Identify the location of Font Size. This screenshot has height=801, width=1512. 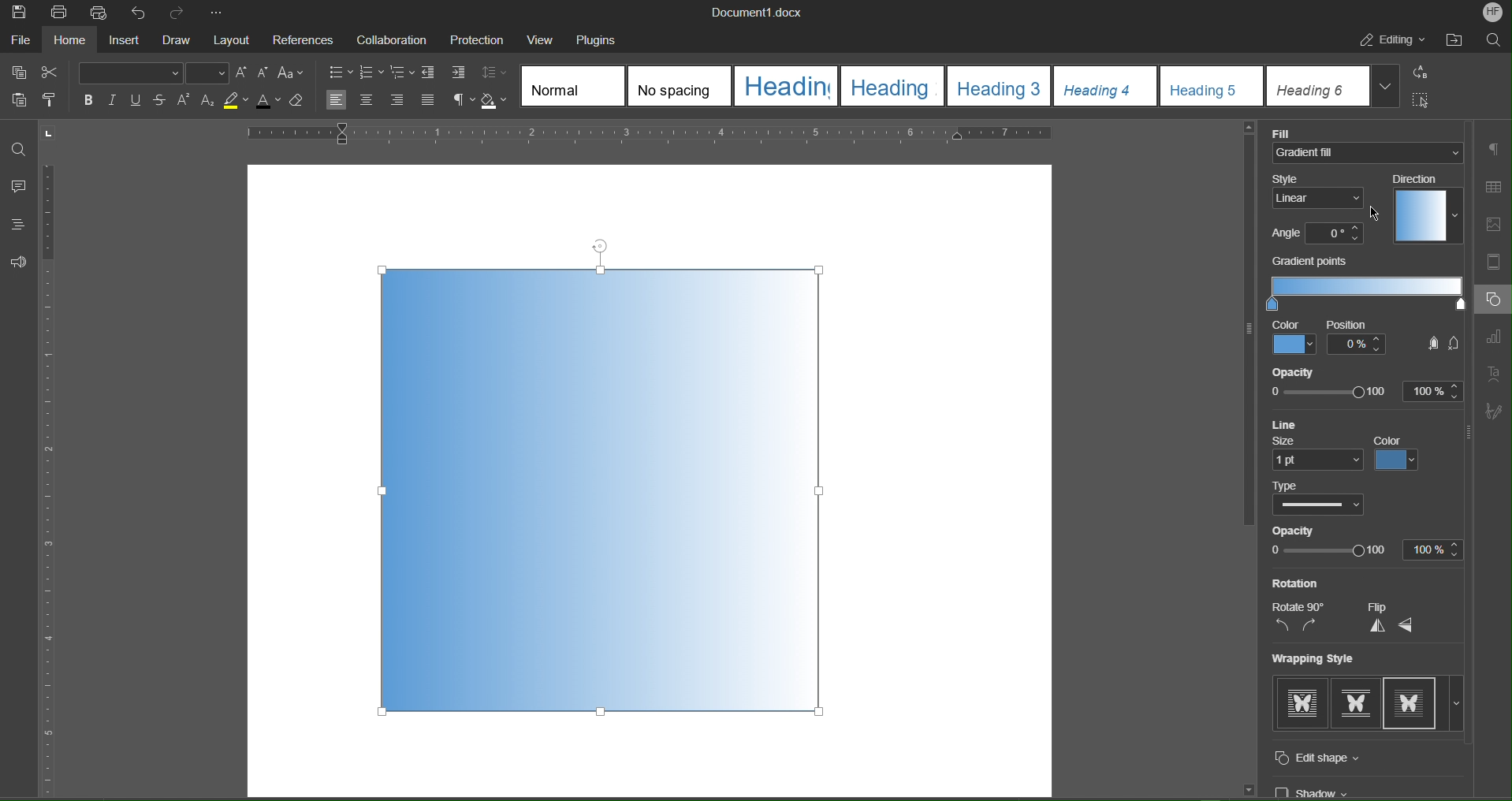
(207, 74).